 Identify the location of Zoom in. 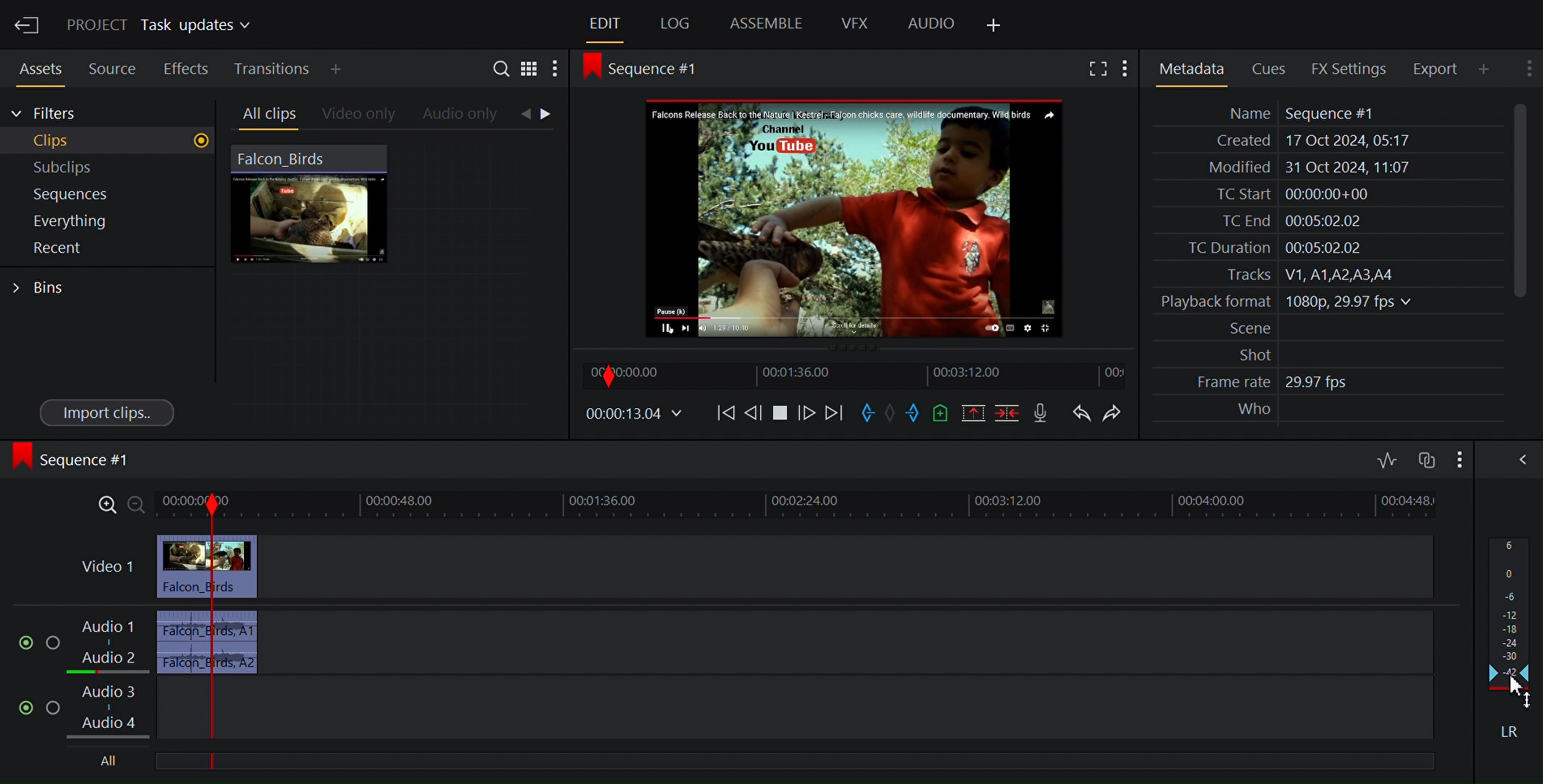
(105, 505).